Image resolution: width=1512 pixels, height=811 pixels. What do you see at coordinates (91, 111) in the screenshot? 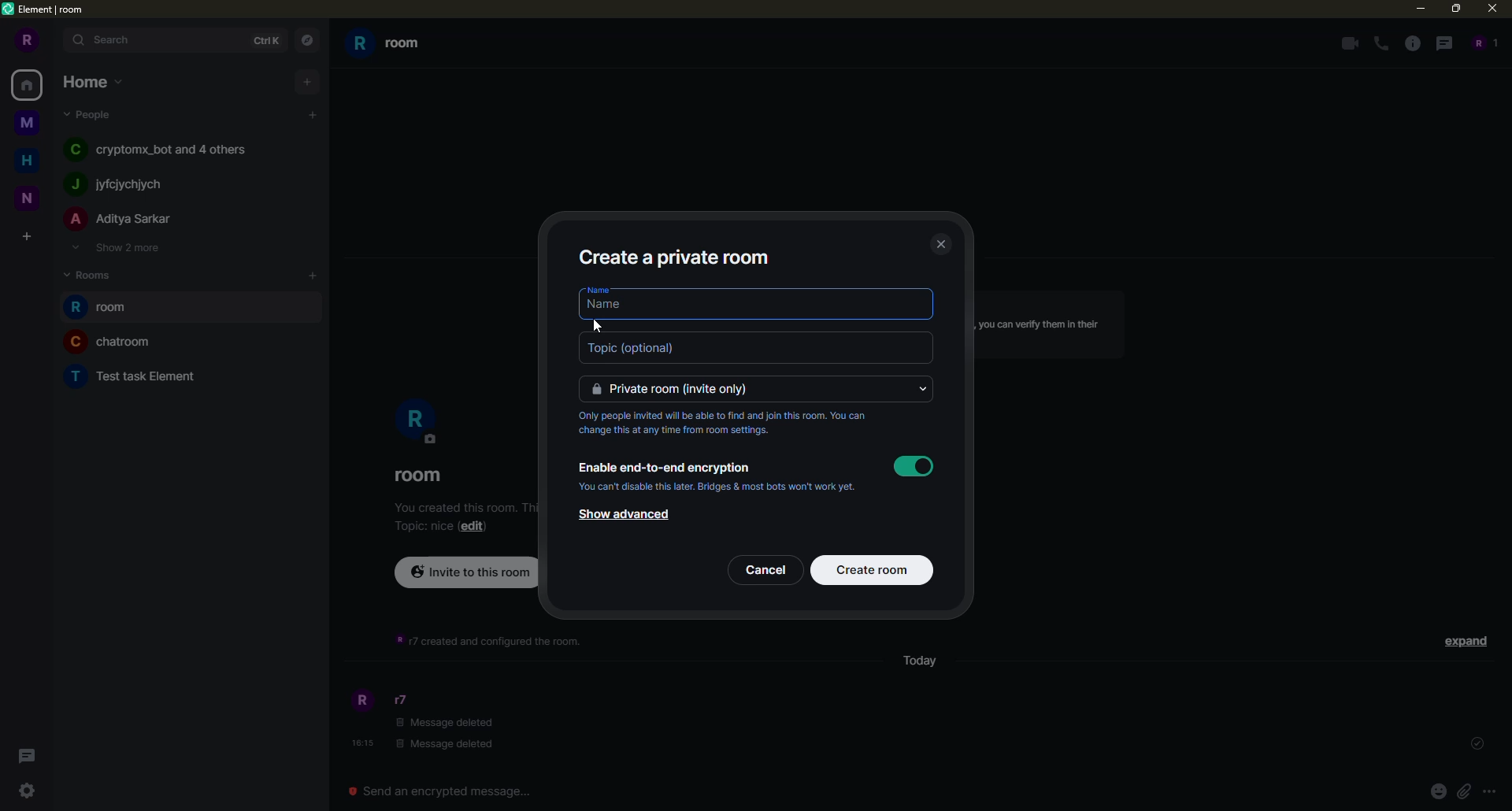
I see `people` at bounding box center [91, 111].